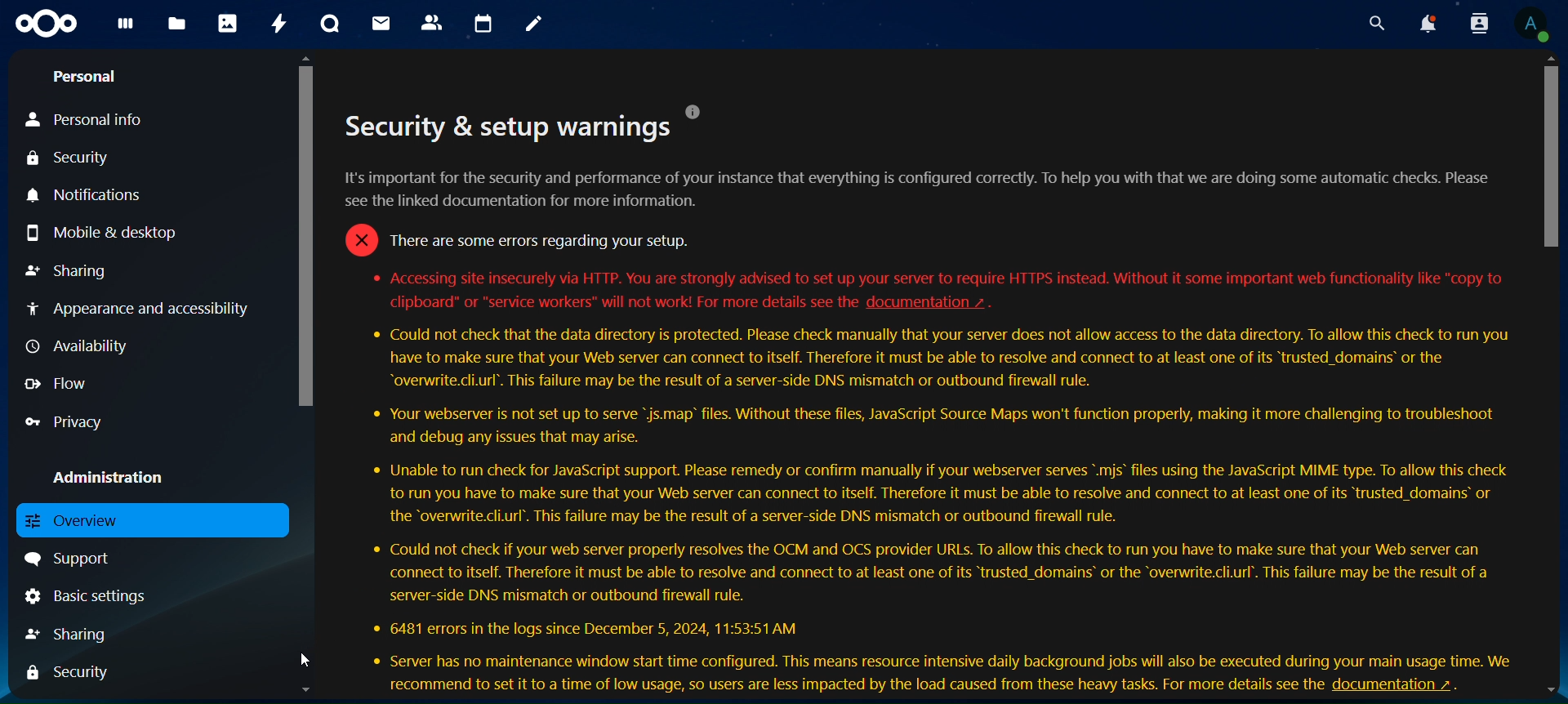  What do you see at coordinates (486, 25) in the screenshot?
I see `calendar` at bounding box center [486, 25].